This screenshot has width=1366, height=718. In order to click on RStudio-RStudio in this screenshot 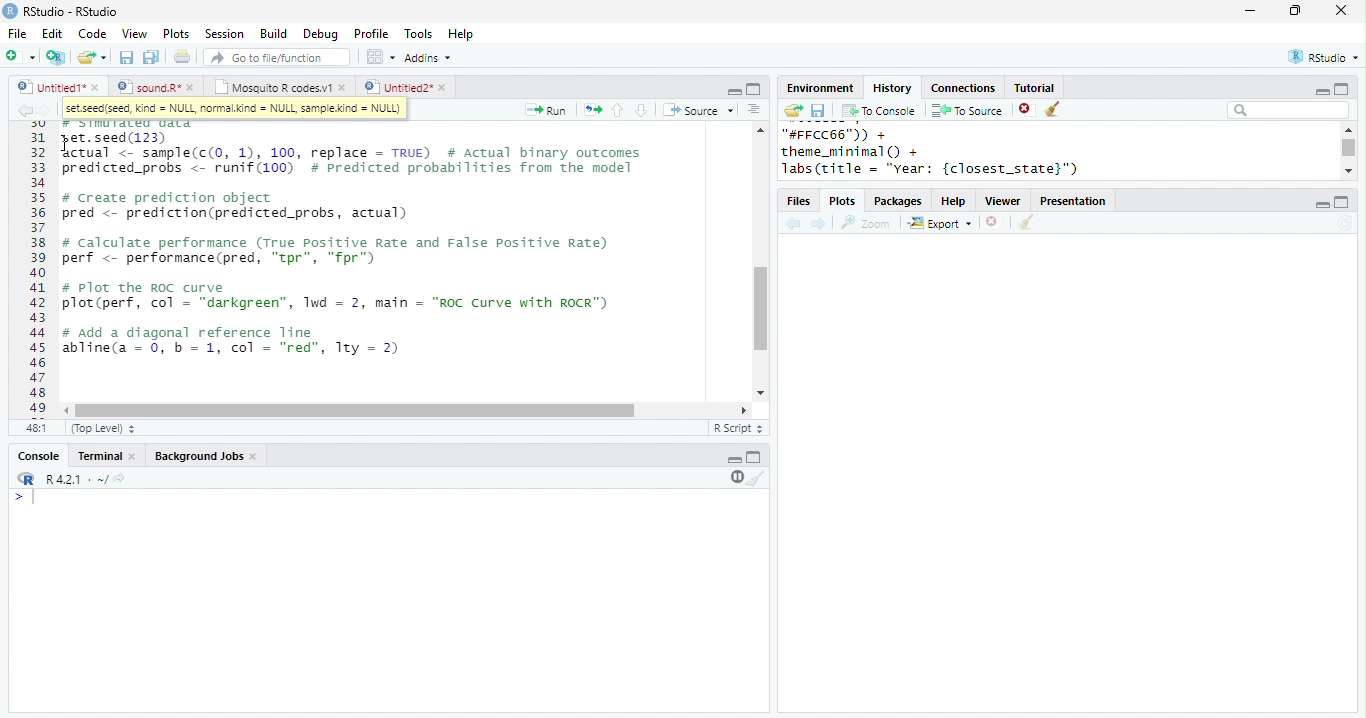, I will do `click(75, 12)`.